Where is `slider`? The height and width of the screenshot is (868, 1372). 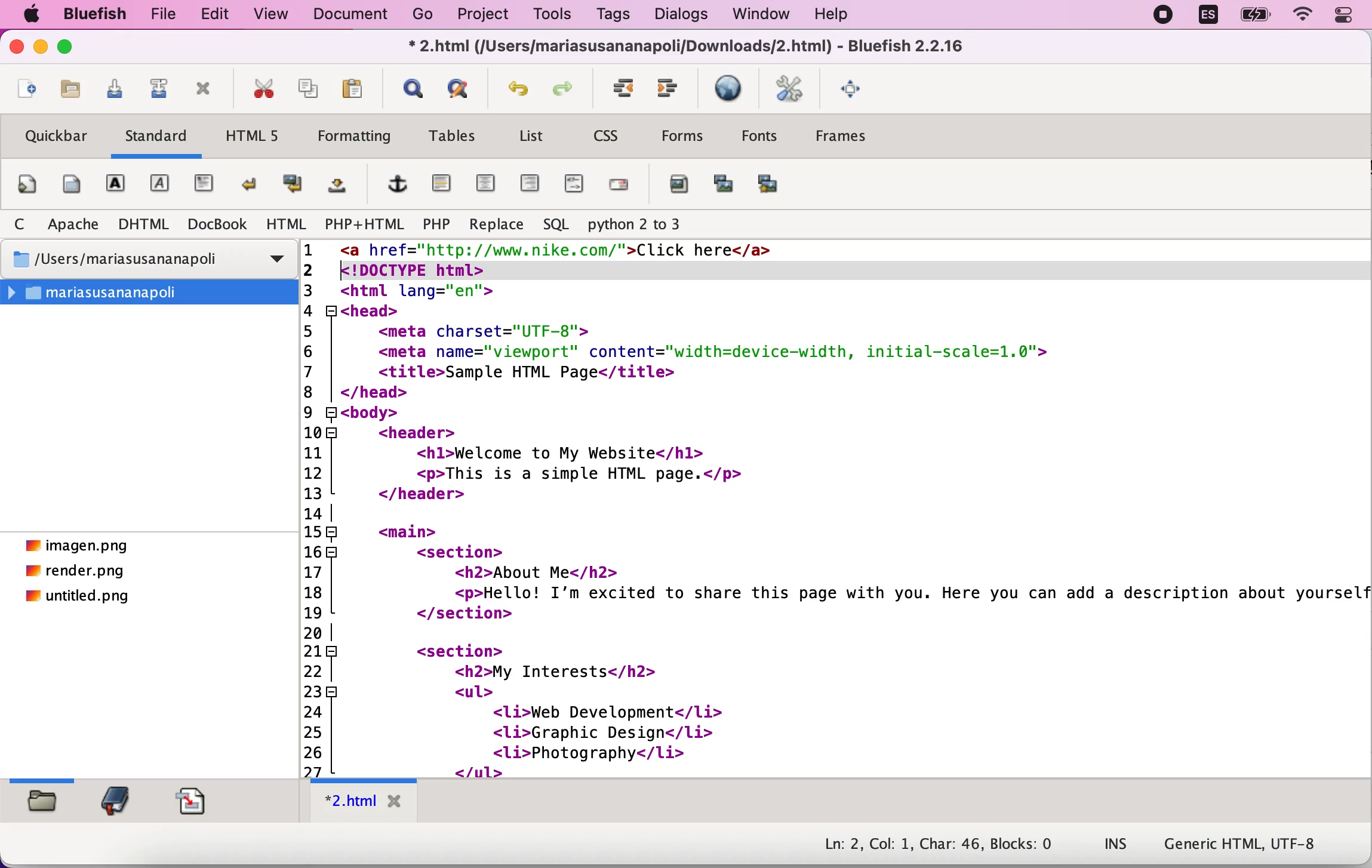
slider is located at coordinates (44, 776).